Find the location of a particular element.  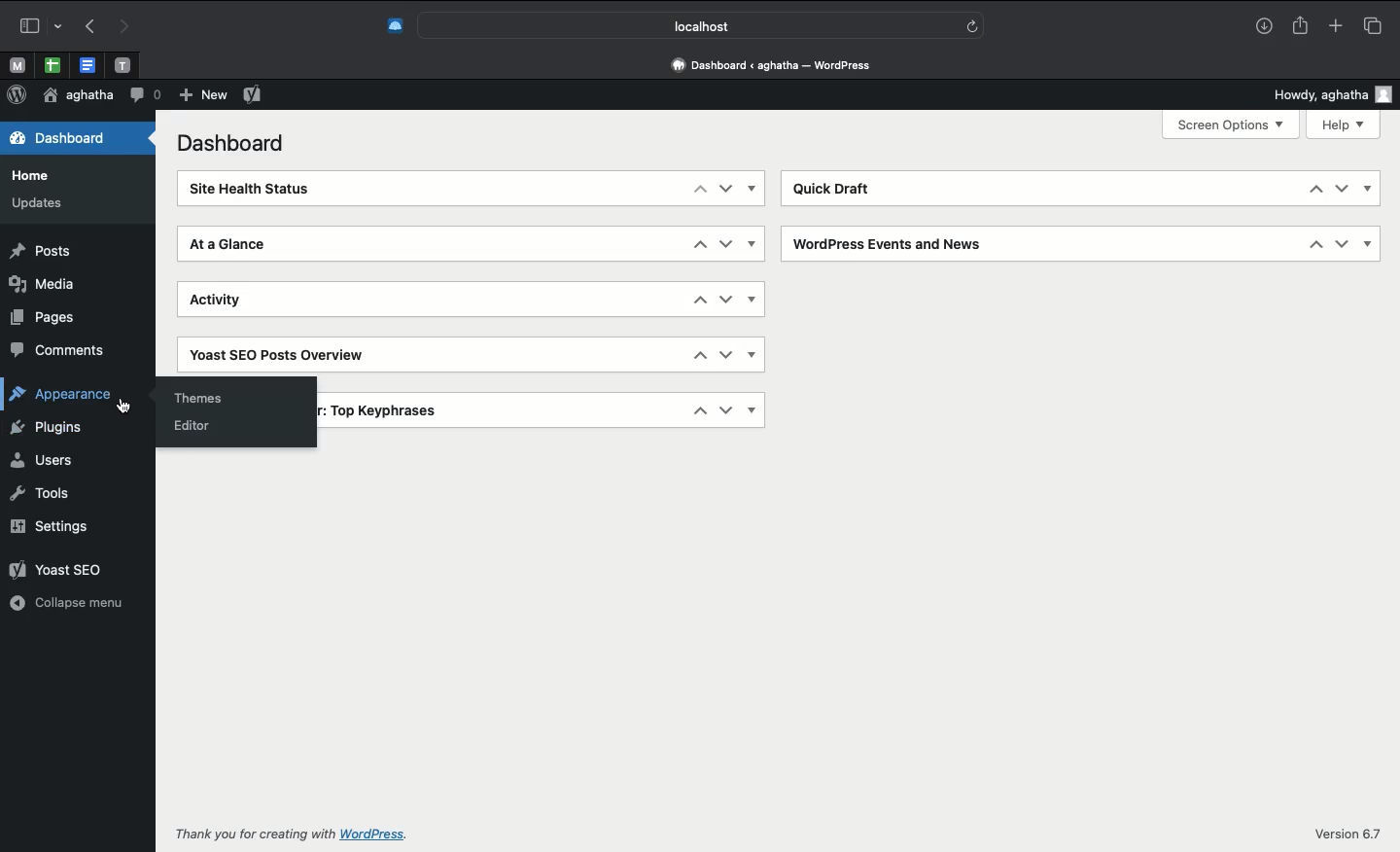

Down is located at coordinates (726, 243).